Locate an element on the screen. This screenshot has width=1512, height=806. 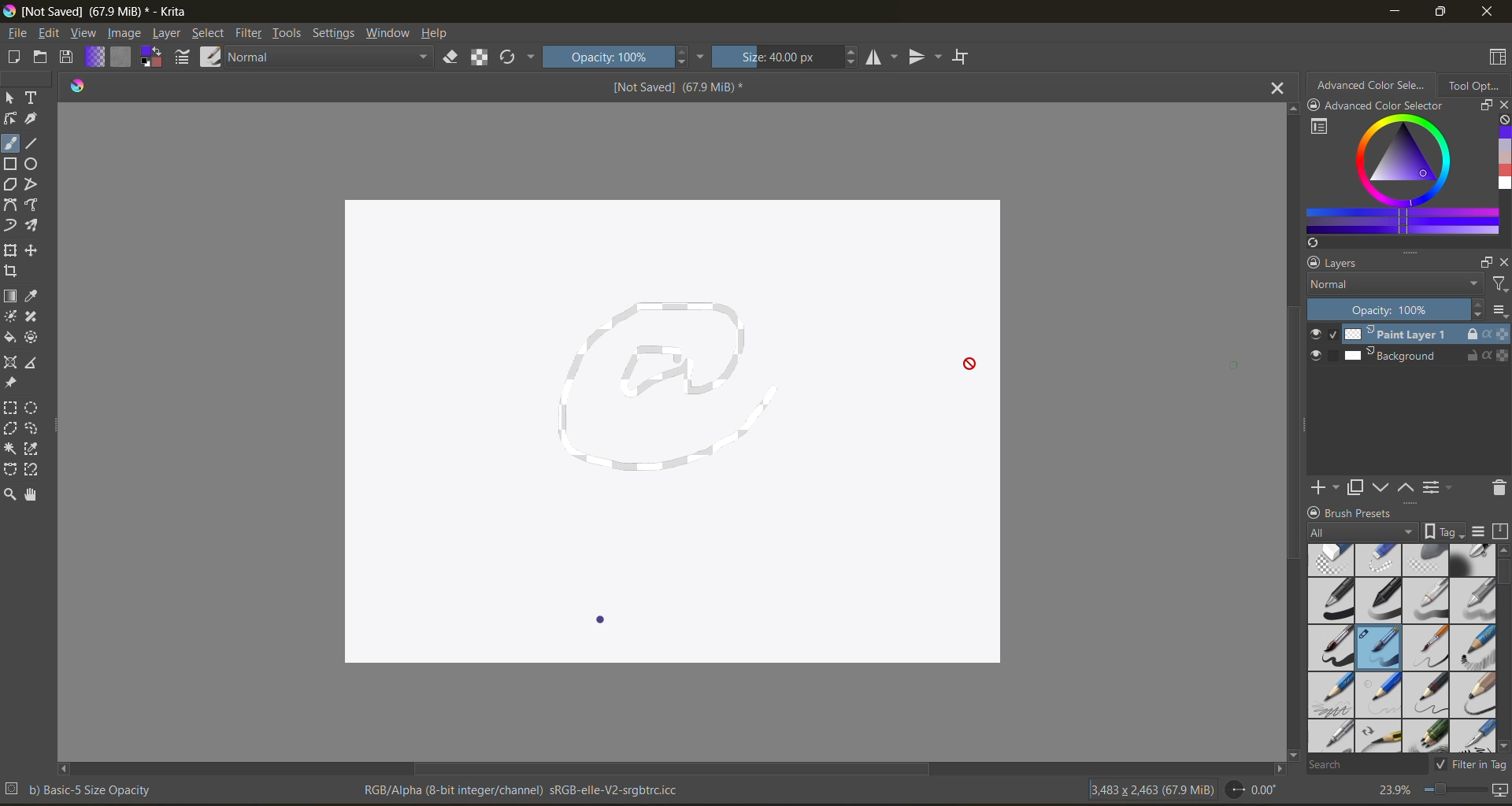
scroll down is located at coordinates (1503, 746).